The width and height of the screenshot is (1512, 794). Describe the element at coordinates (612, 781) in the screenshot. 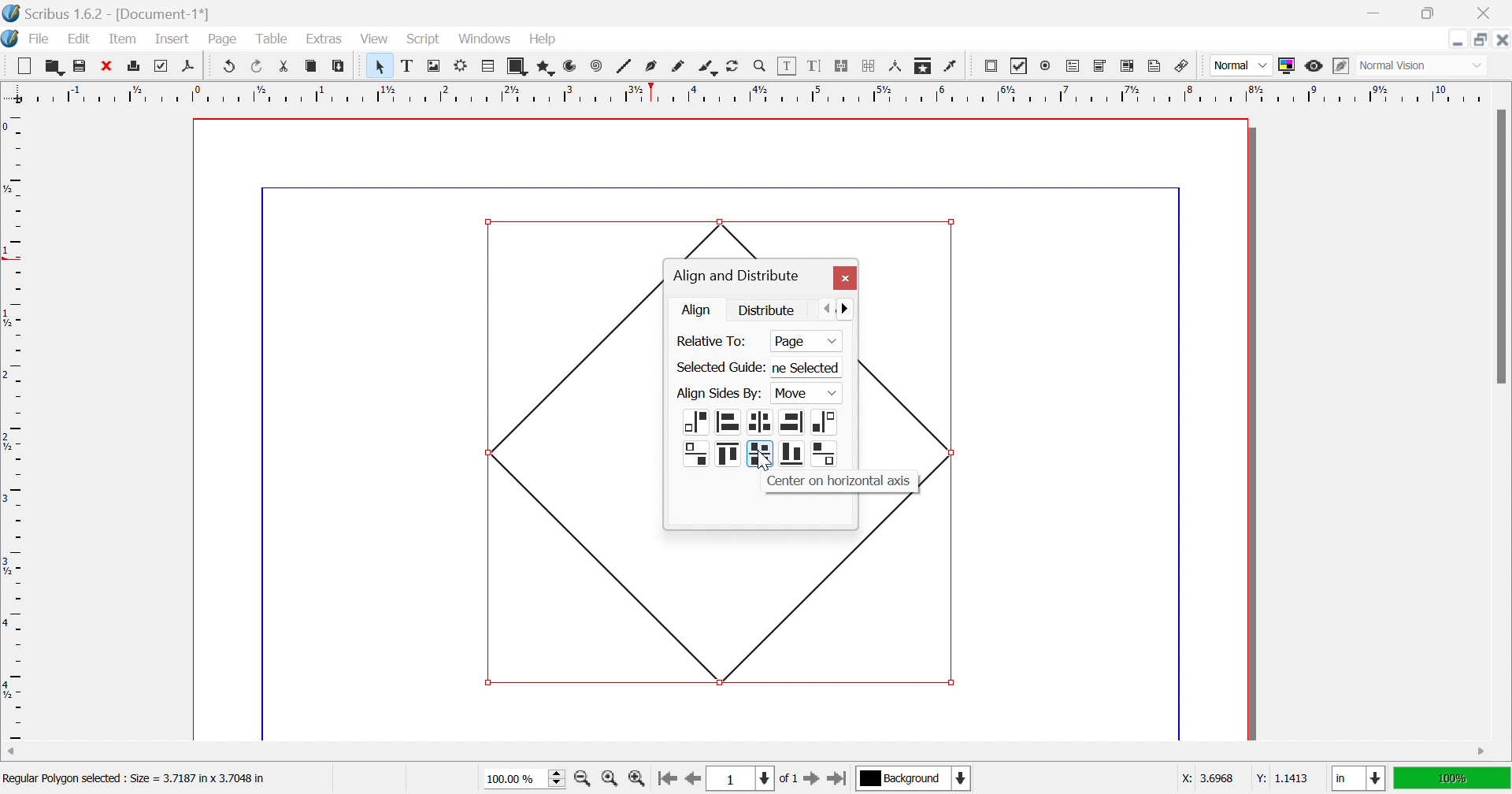

I see `Zoom to 100%` at that location.